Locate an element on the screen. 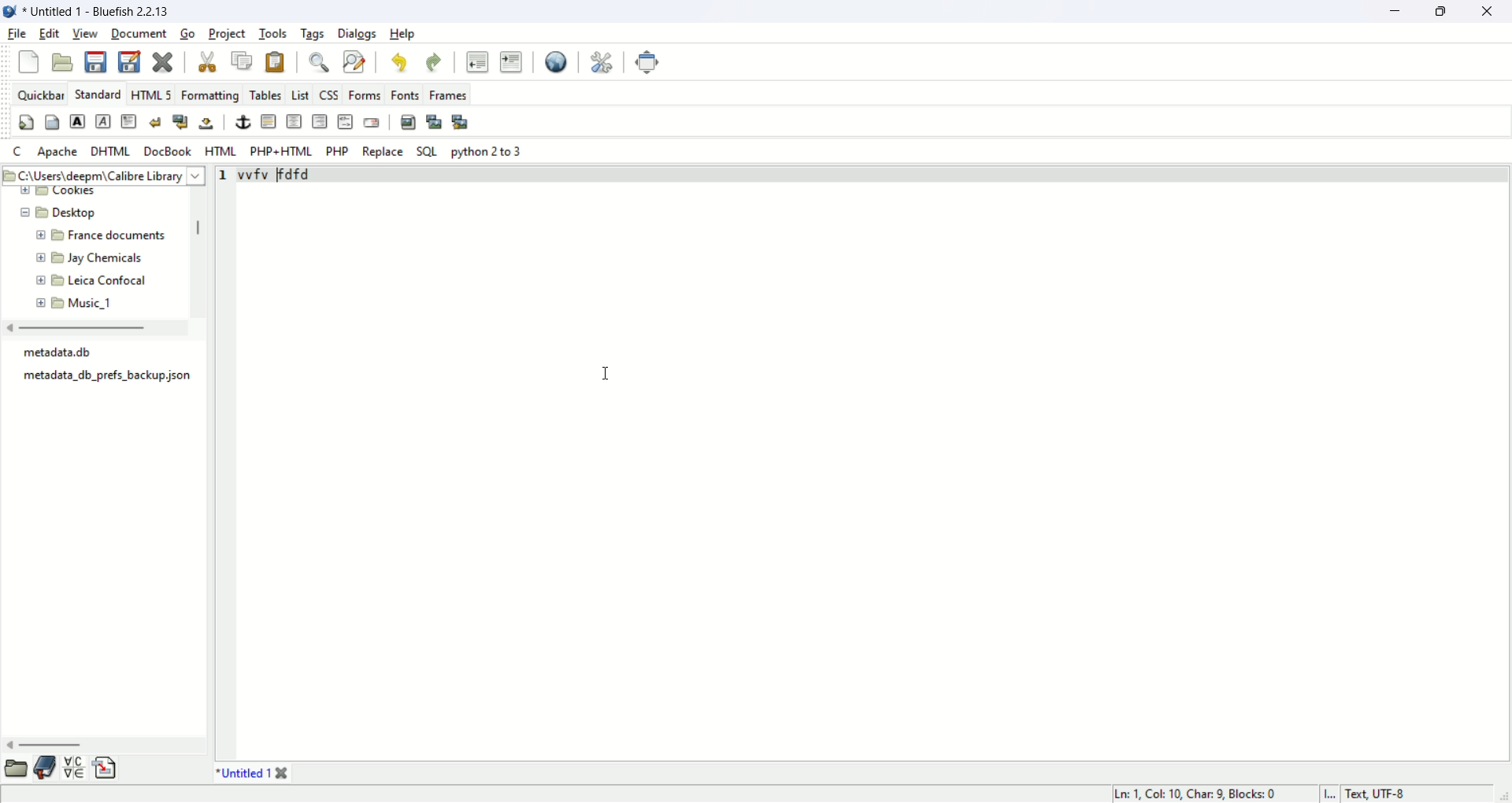 The height and width of the screenshot is (803, 1512). file browser is located at coordinates (15, 769).